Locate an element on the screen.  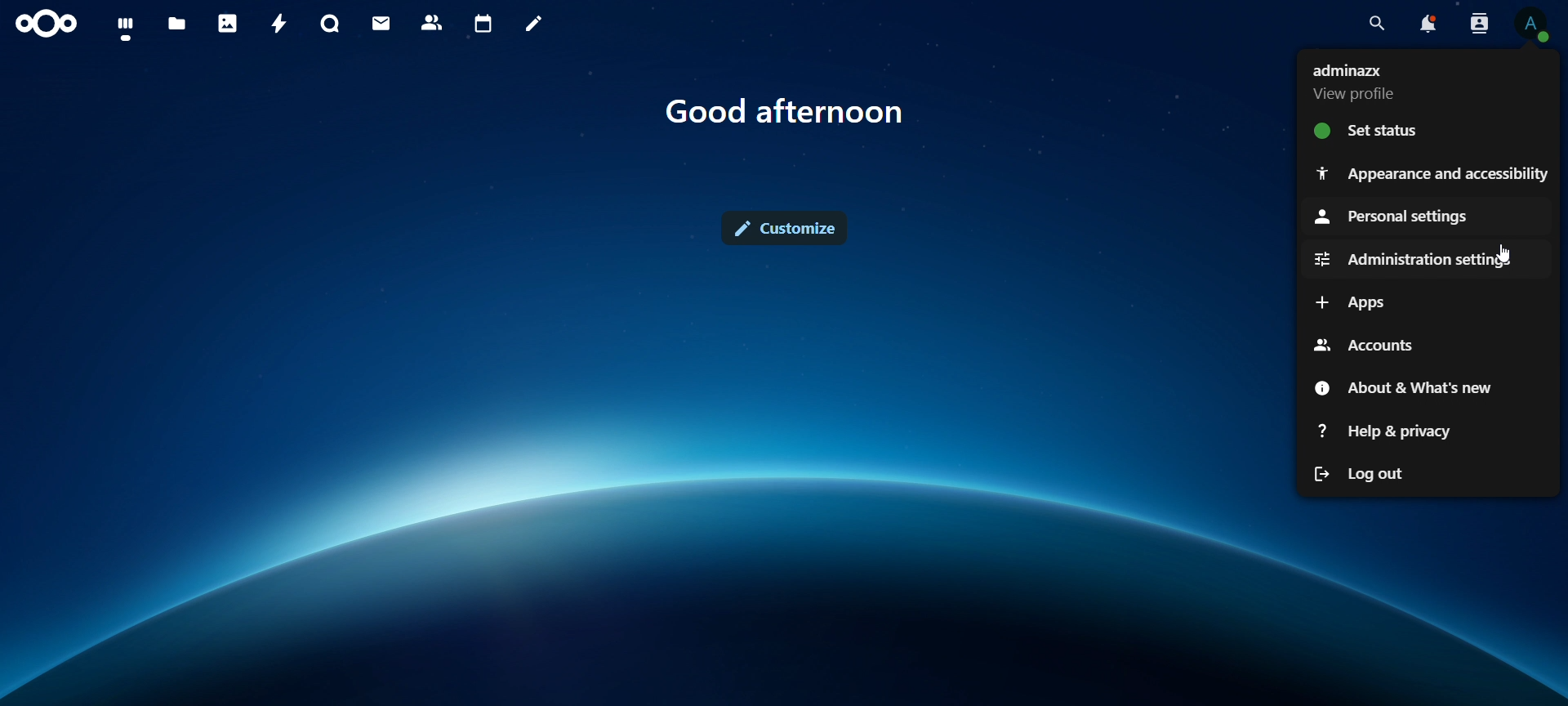
view profile is located at coordinates (1533, 27).